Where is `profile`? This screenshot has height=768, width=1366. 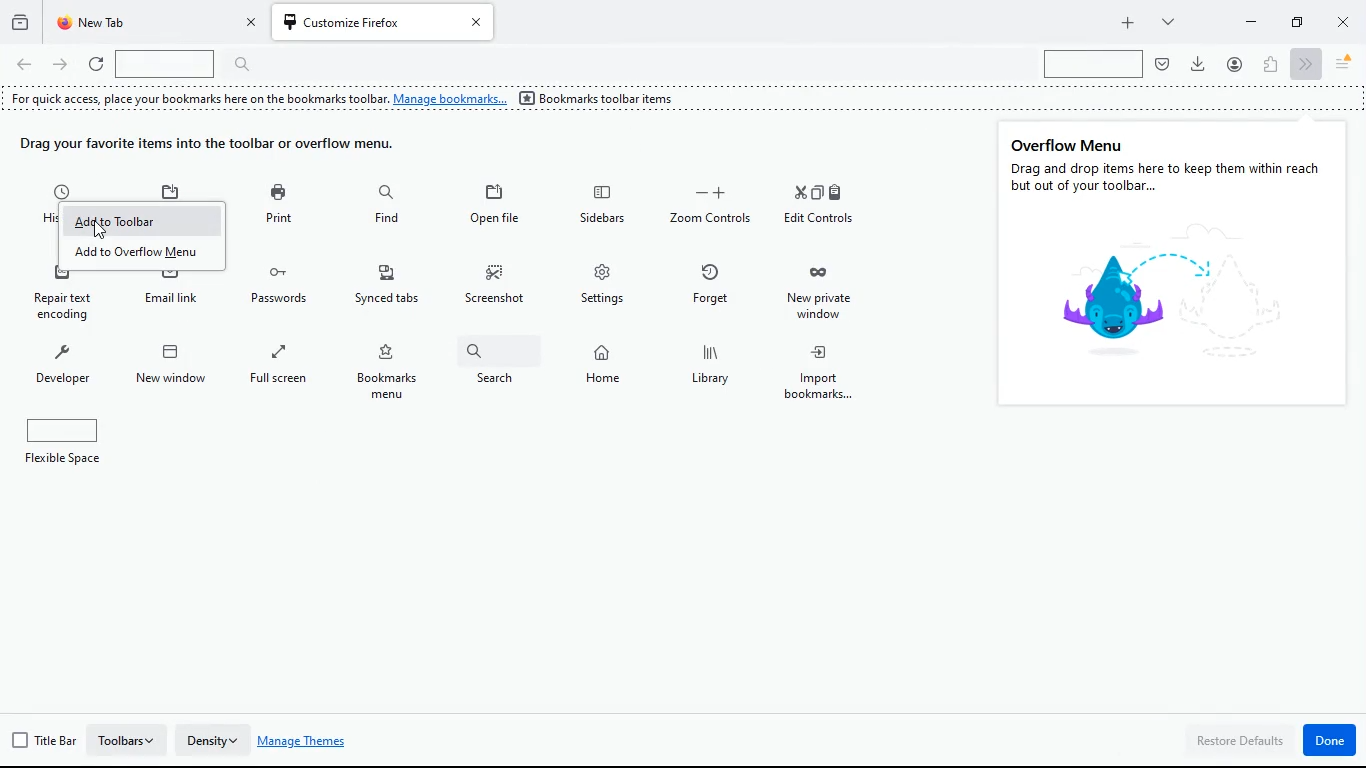
profile is located at coordinates (1235, 63).